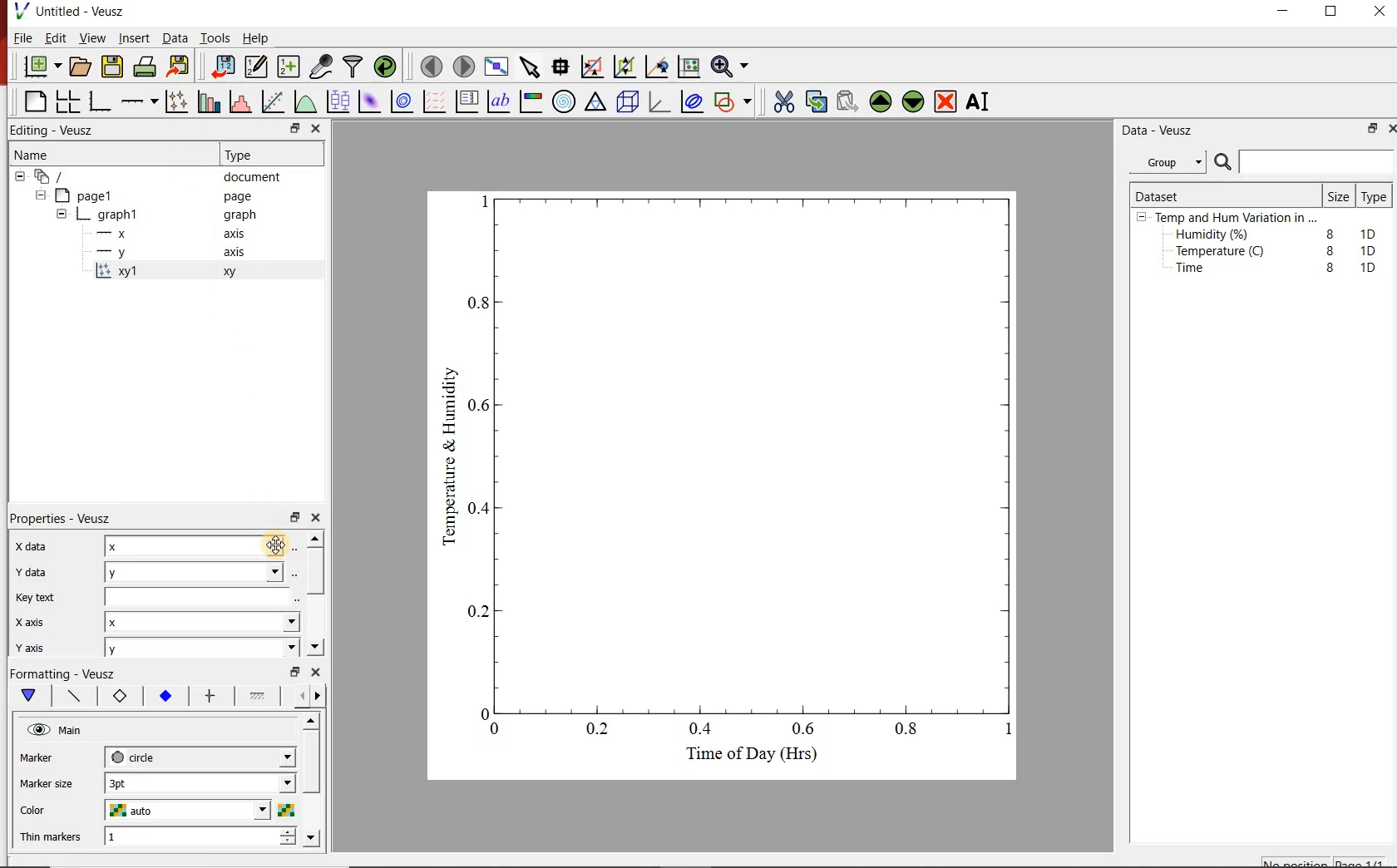 This screenshot has width=1397, height=868. Describe the element at coordinates (481, 409) in the screenshot. I see `0.6` at that location.